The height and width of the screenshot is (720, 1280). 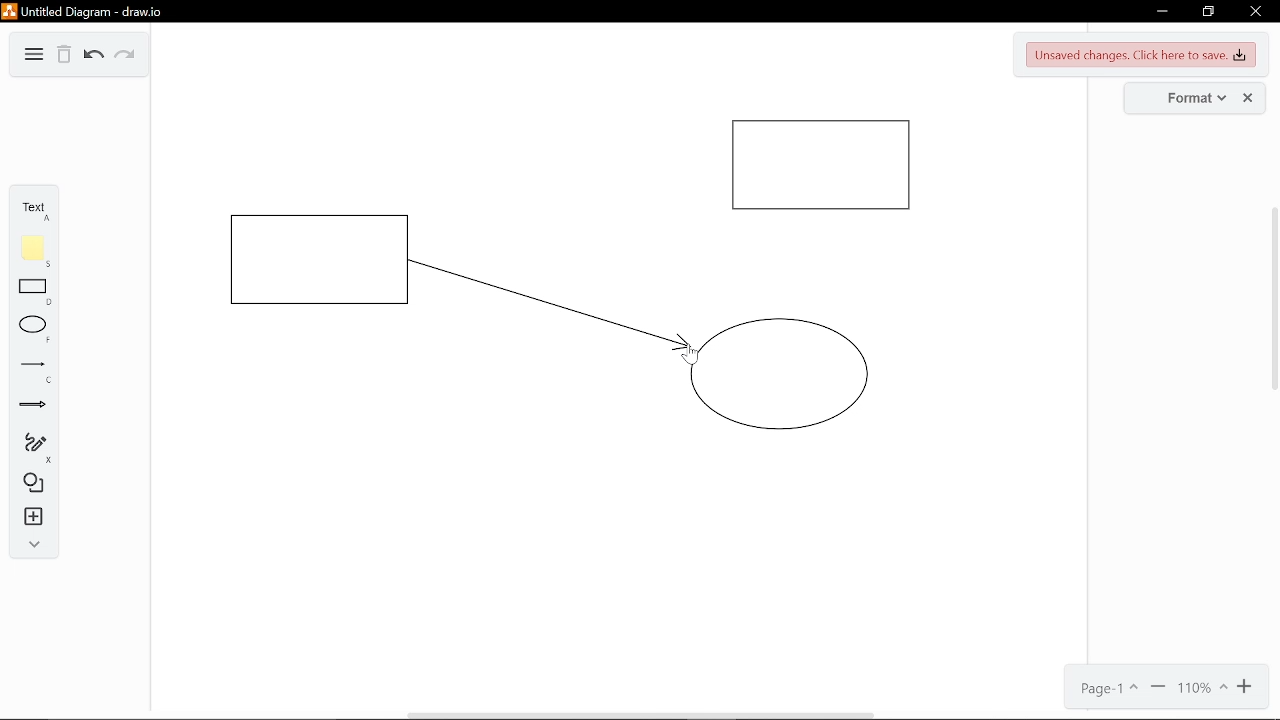 I want to click on Redo, so click(x=123, y=55).